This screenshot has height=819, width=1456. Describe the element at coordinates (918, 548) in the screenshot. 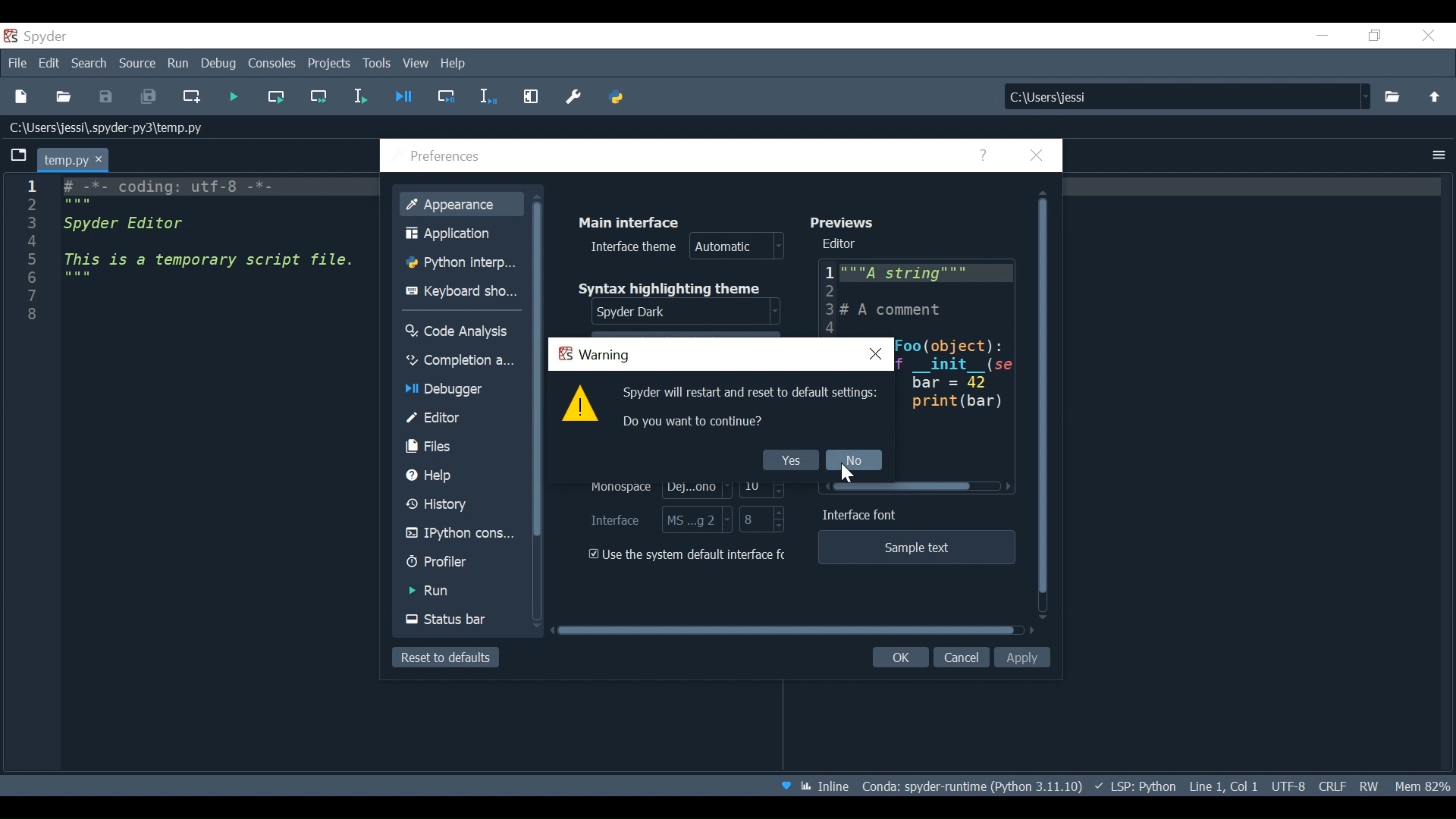

I see `Sample text` at that location.